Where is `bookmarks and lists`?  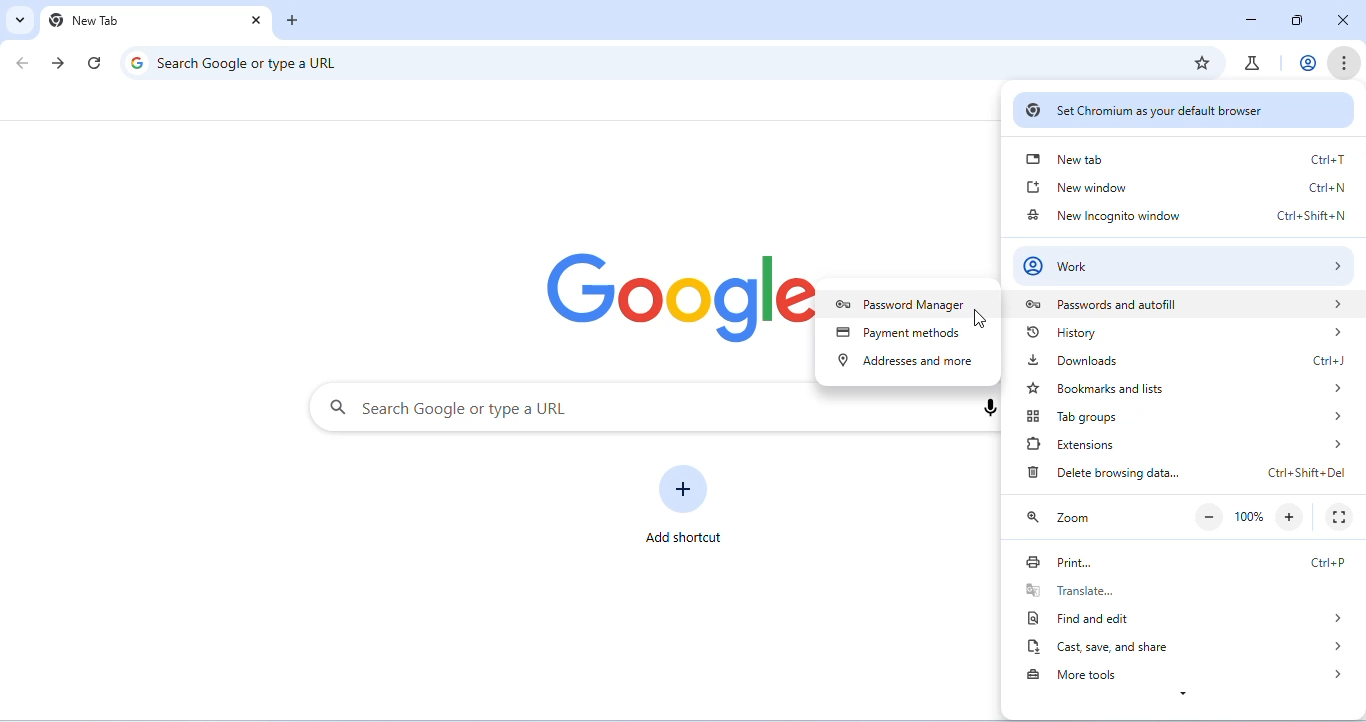
bookmarks and lists is located at coordinates (1186, 388).